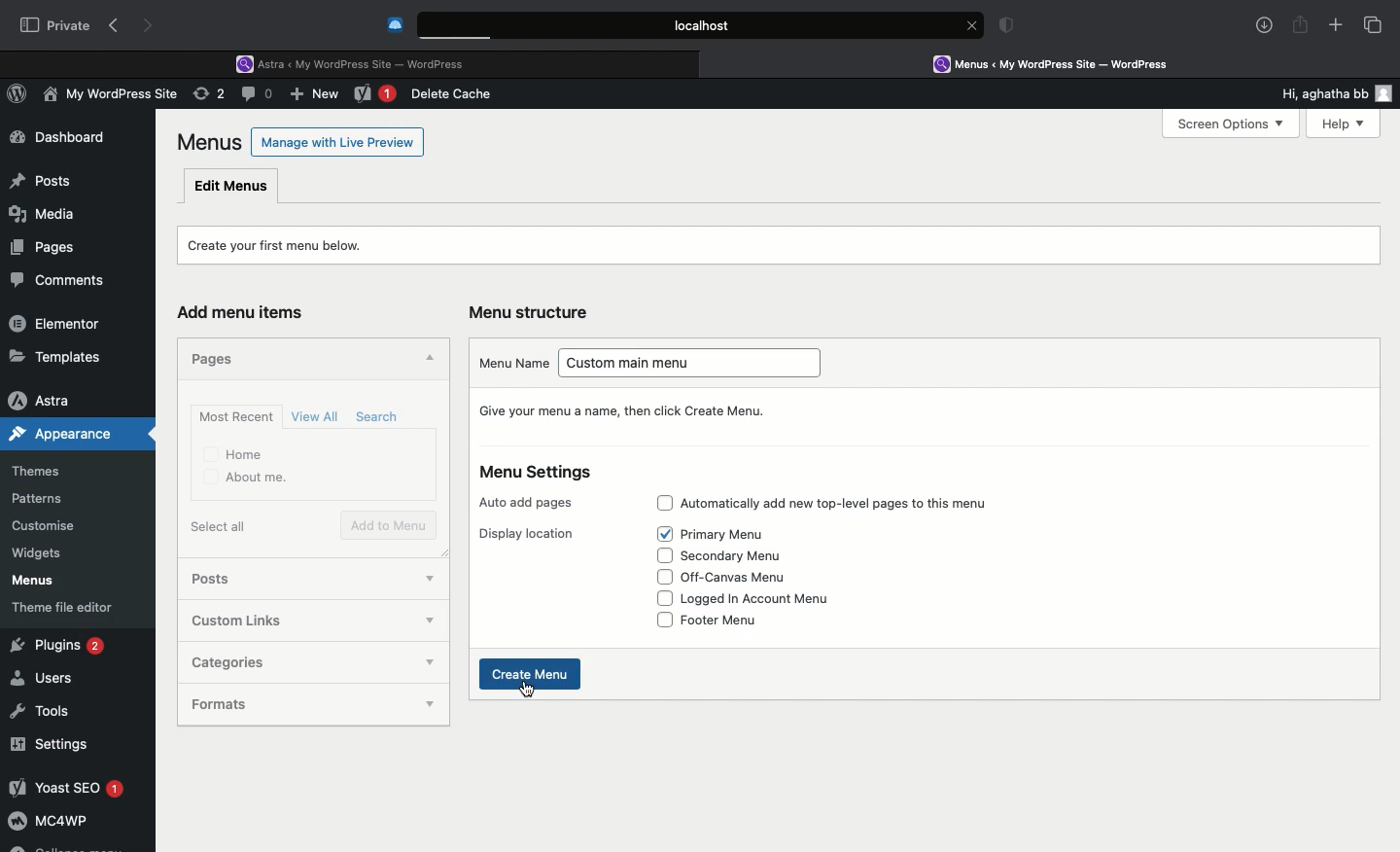 Image resolution: width=1400 pixels, height=852 pixels. Describe the element at coordinates (391, 526) in the screenshot. I see `Add to menu` at that location.